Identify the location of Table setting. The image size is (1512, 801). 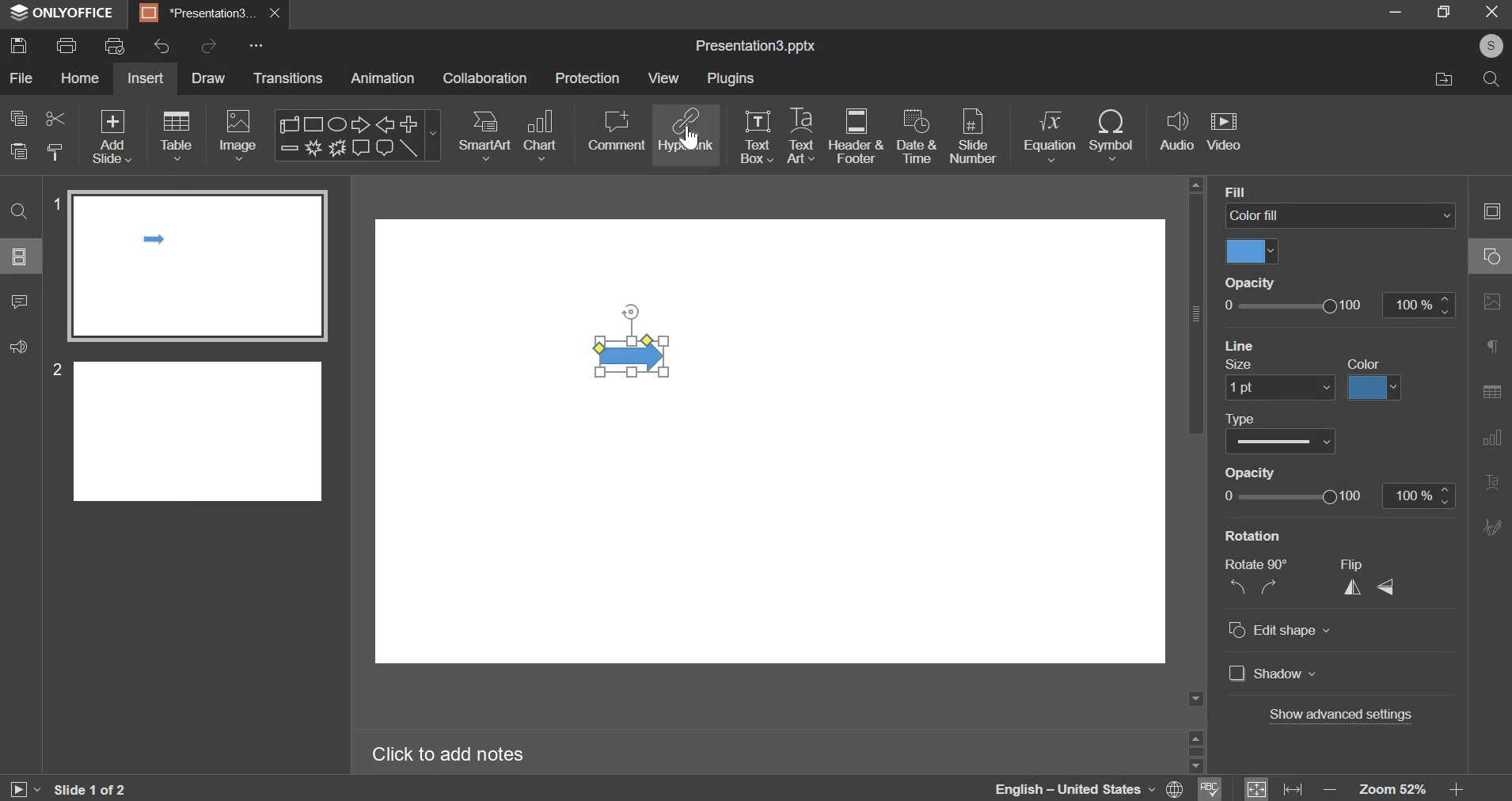
(1492, 394).